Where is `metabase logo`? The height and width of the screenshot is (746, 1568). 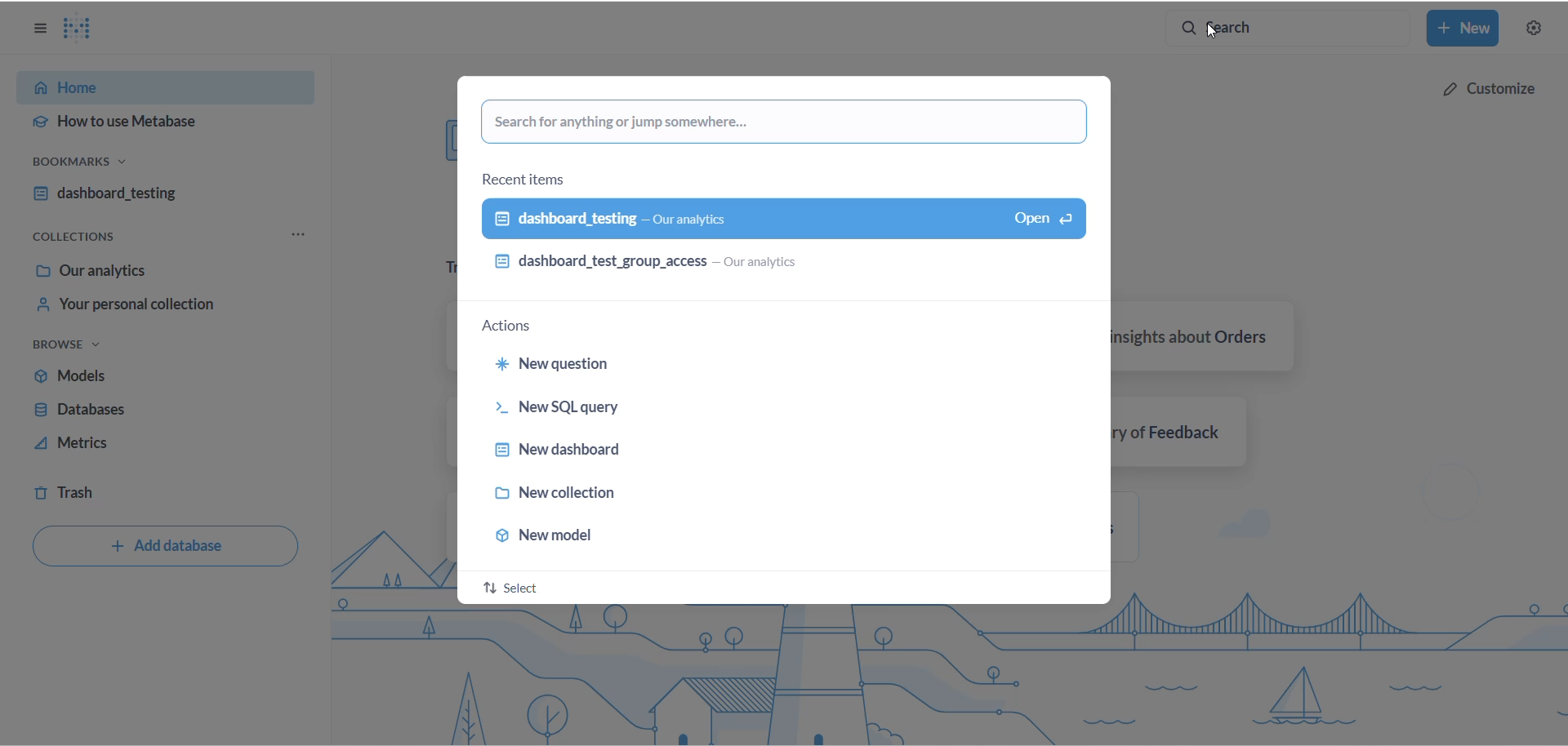 metabase logo is located at coordinates (85, 29).